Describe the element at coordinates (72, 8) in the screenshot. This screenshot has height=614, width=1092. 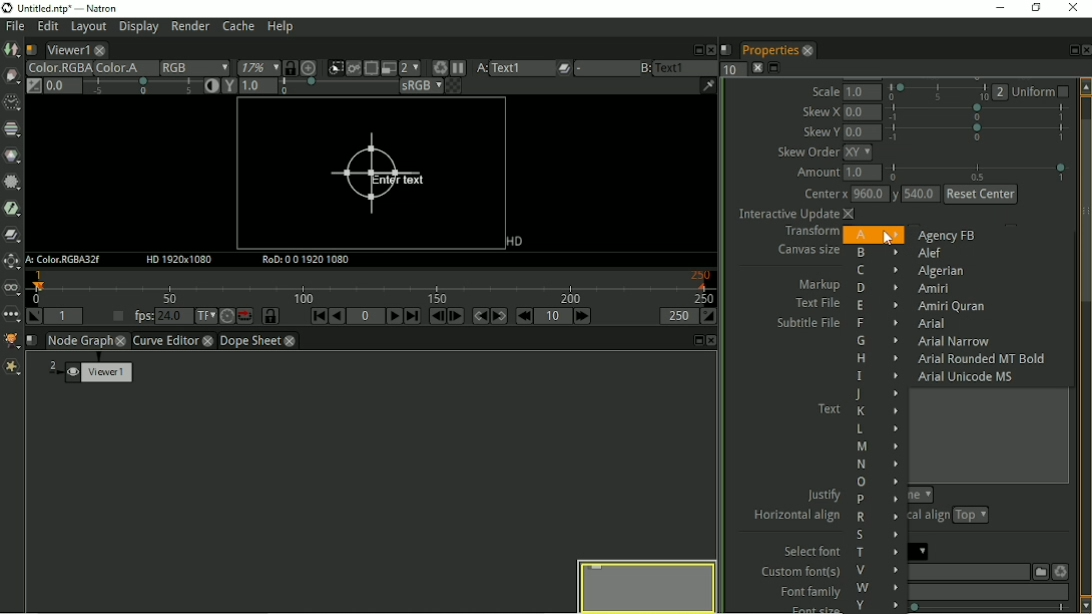
I see `title` at that location.